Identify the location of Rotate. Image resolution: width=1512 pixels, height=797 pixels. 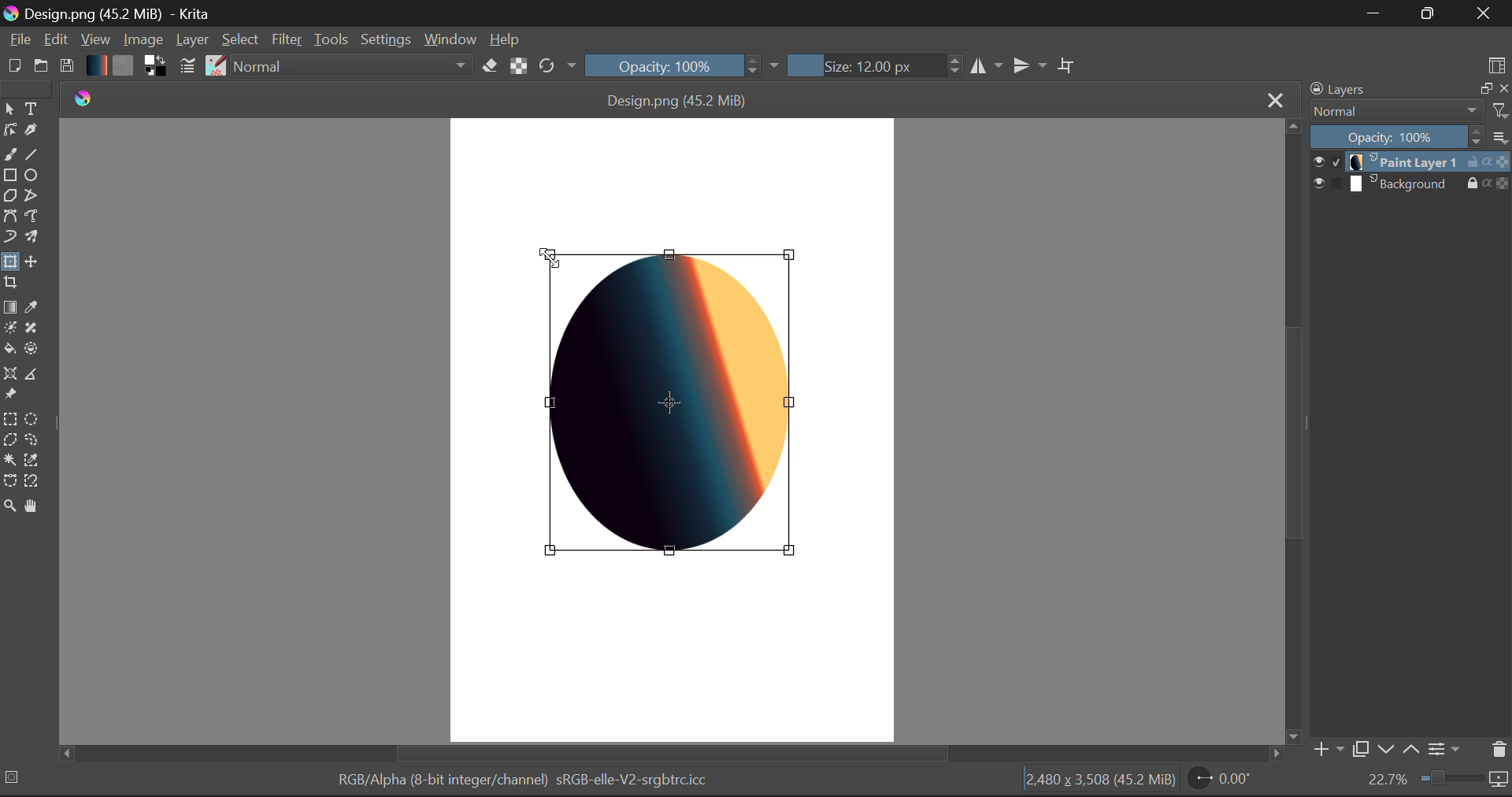
(559, 67).